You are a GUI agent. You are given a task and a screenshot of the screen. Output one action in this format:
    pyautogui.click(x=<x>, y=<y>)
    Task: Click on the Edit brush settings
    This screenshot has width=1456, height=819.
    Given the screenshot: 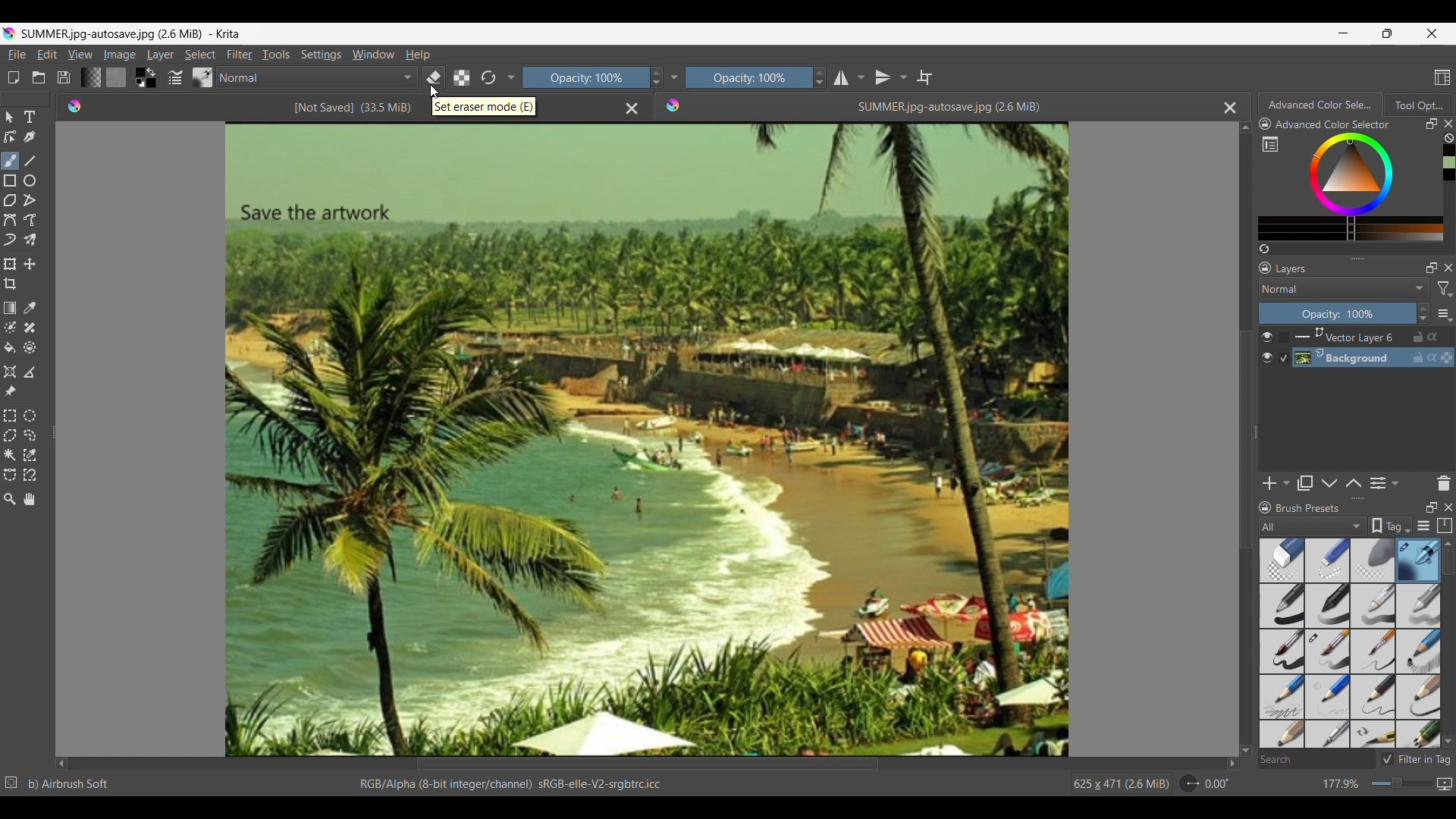 What is the action you would take?
    pyautogui.click(x=175, y=77)
    